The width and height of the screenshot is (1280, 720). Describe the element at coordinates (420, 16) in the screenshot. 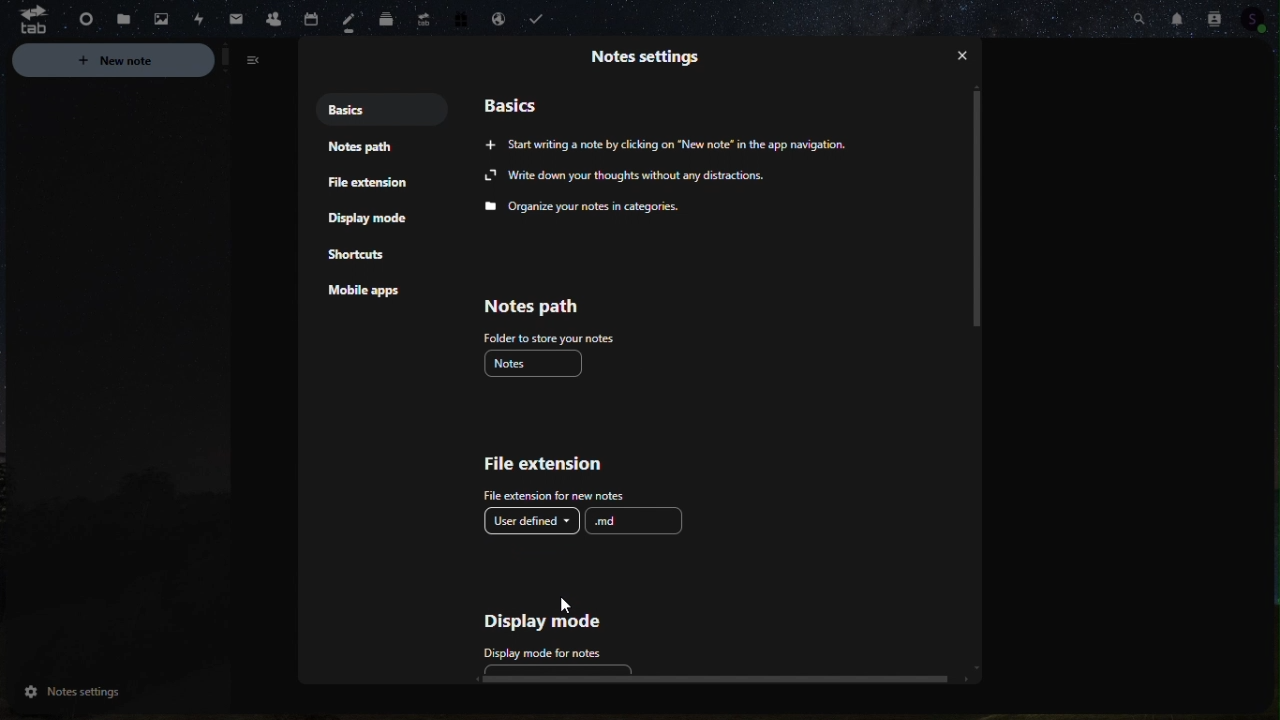

I see `upgrade` at that location.